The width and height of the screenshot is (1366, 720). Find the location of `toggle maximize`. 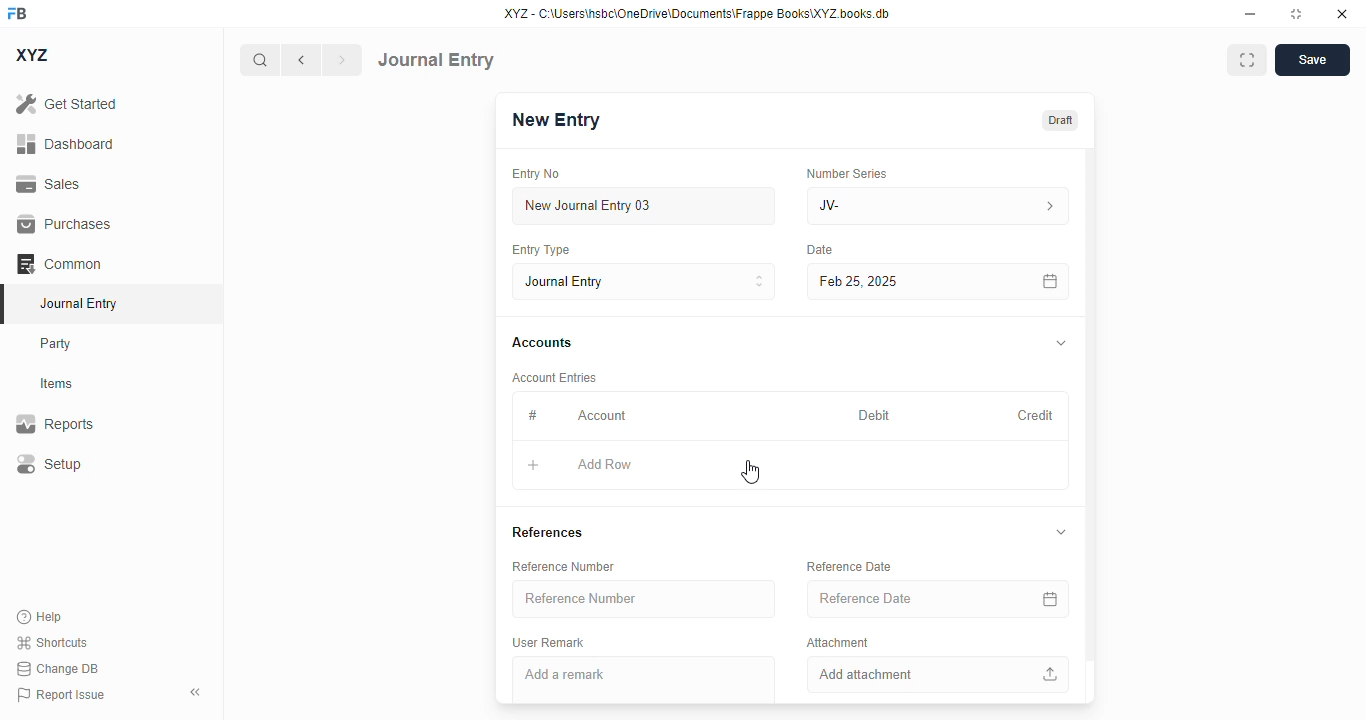

toggle maximize is located at coordinates (1295, 14).